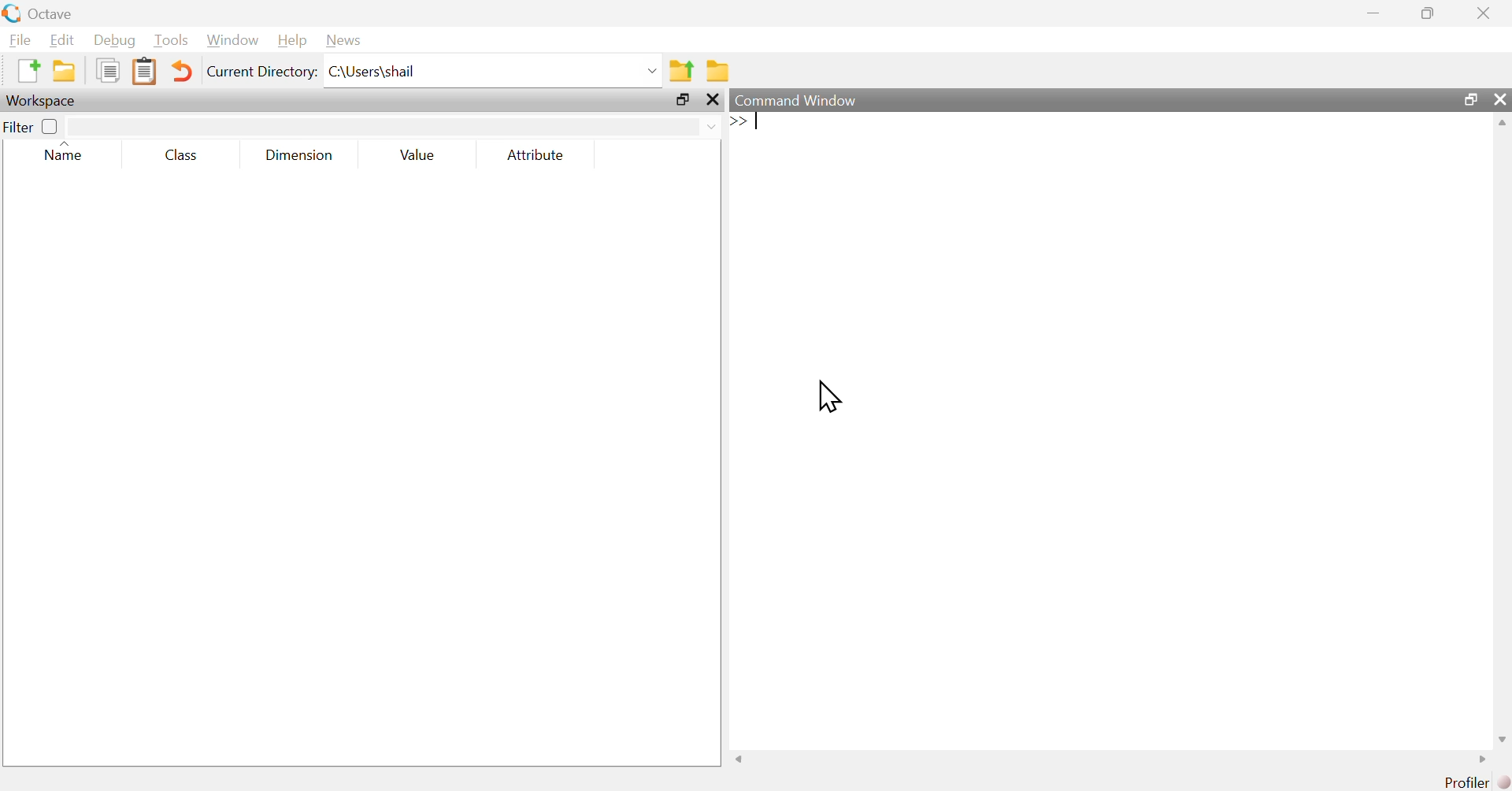  Describe the element at coordinates (1484, 11) in the screenshot. I see `close` at that location.